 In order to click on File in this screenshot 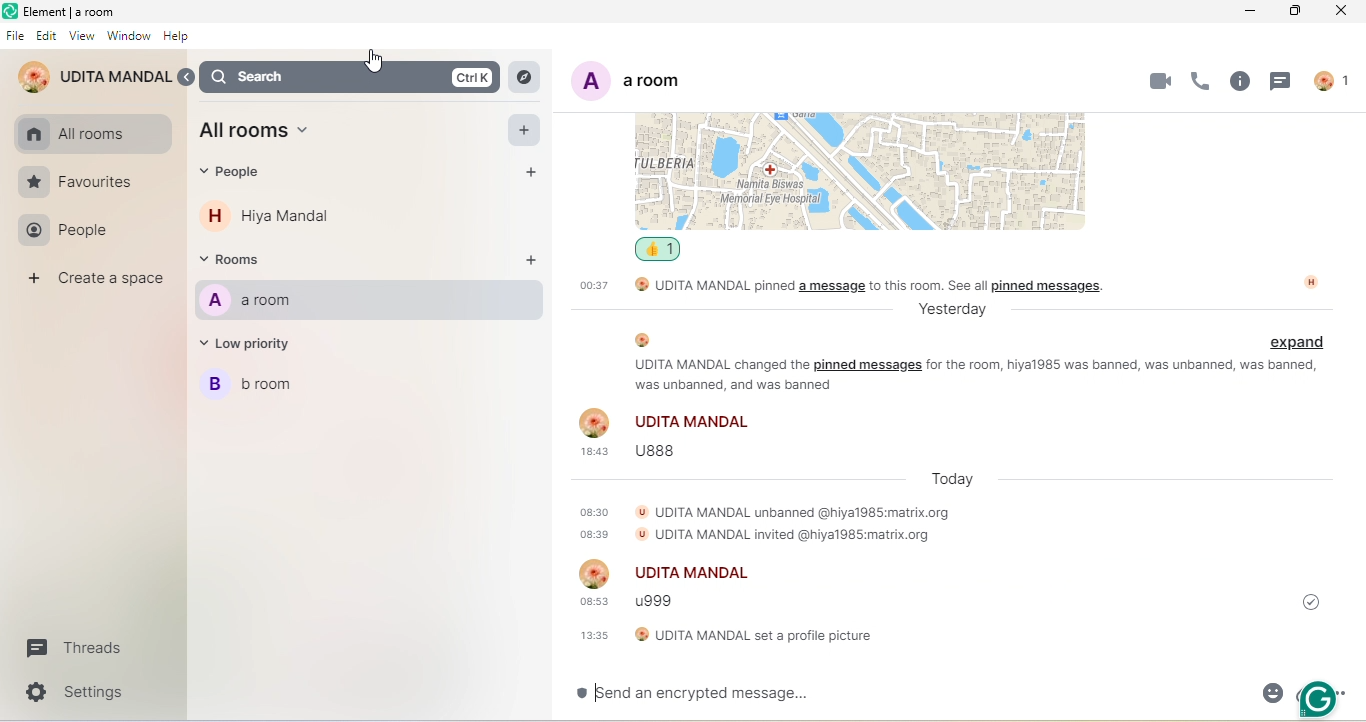, I will do `click(14, 35)`.